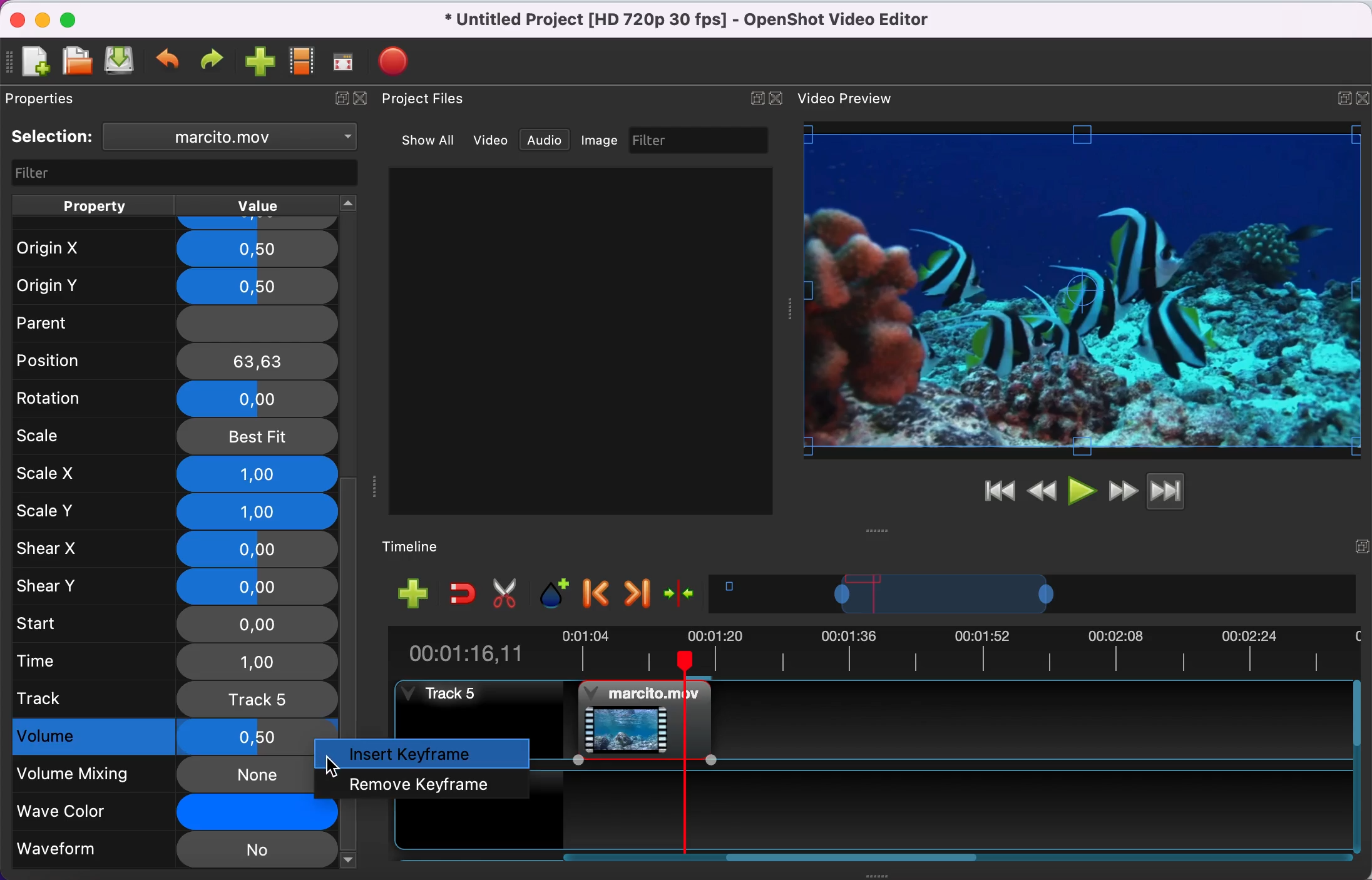  I want to click on image, so click(603, 141).